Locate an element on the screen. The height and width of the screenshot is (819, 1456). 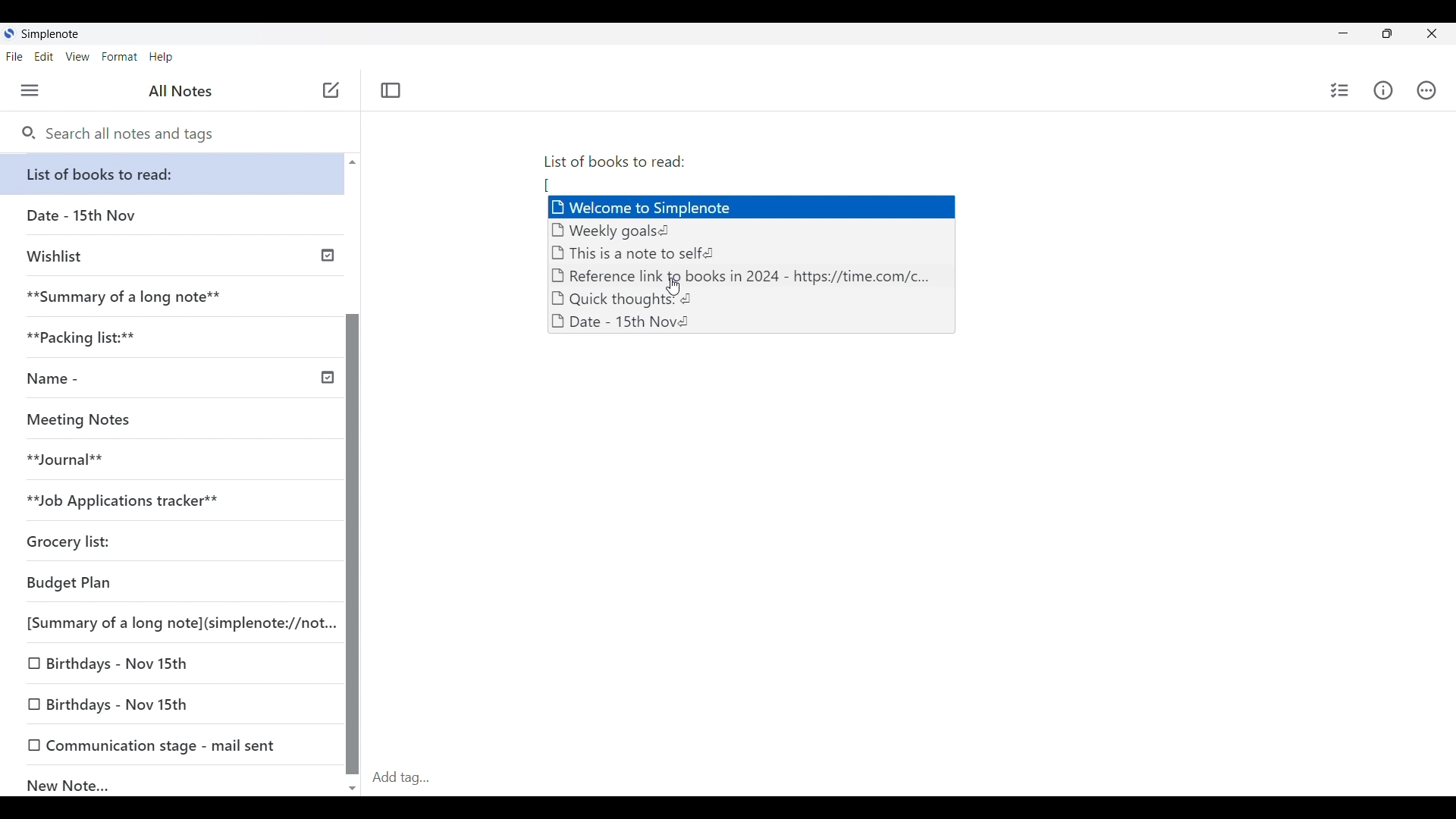
**Journal** is located at coordinates (168, 460).